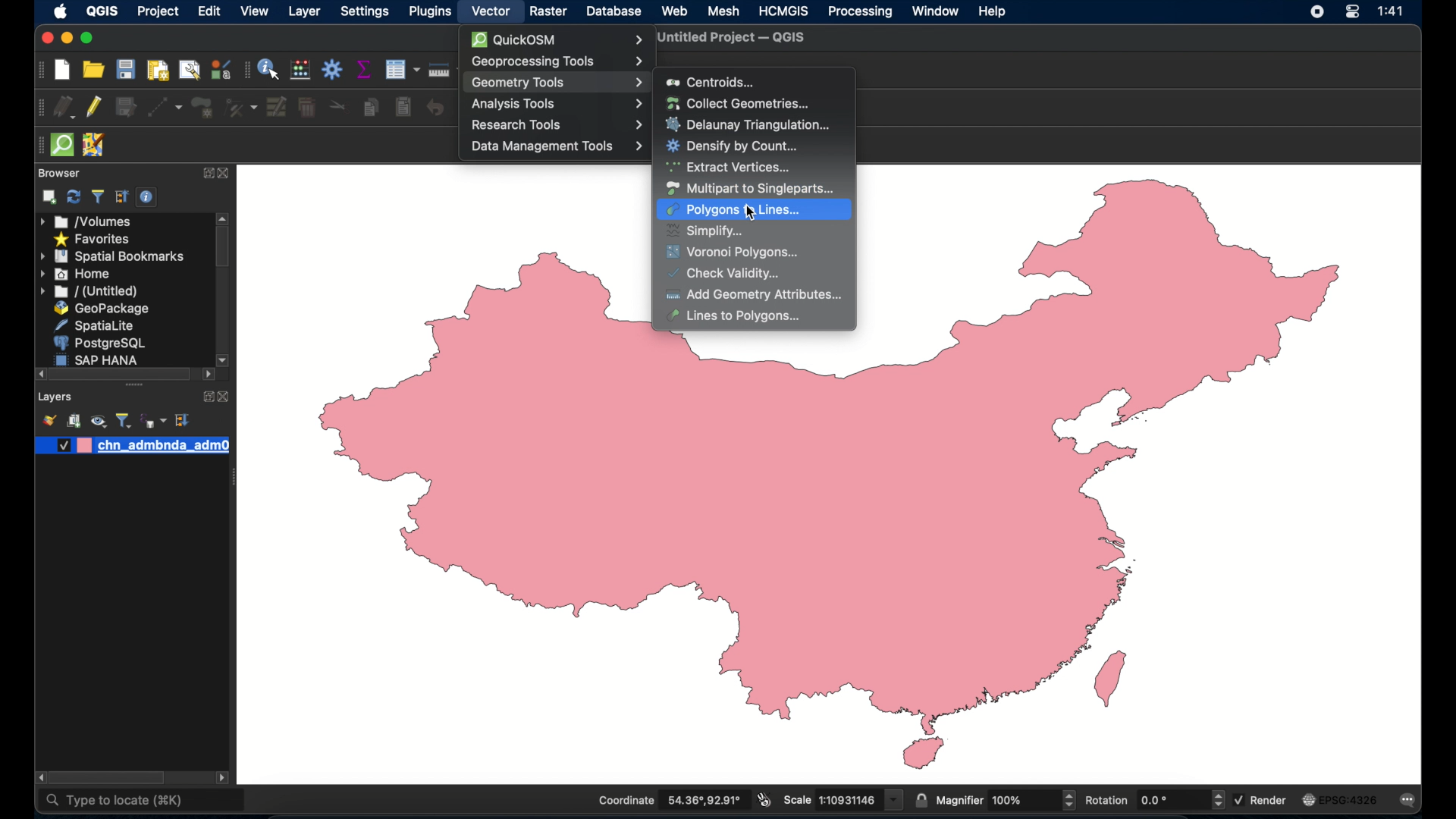  What do you see at coordinates (75, 274) in the screenshot?
I see `home` at bounding box center [75, 274].